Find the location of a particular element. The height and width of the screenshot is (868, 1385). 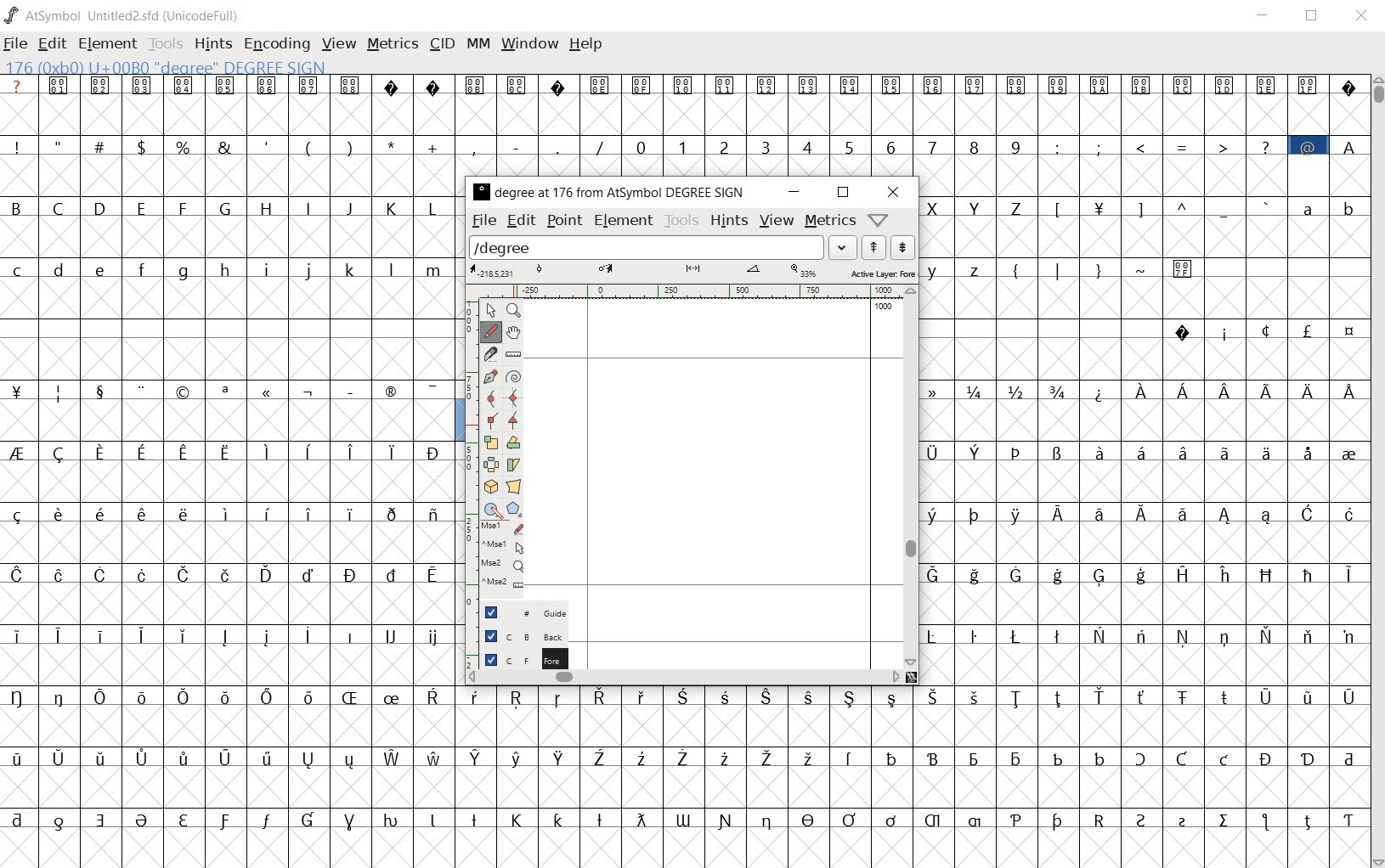

small letters c - m is located at coordinates (221, 270).